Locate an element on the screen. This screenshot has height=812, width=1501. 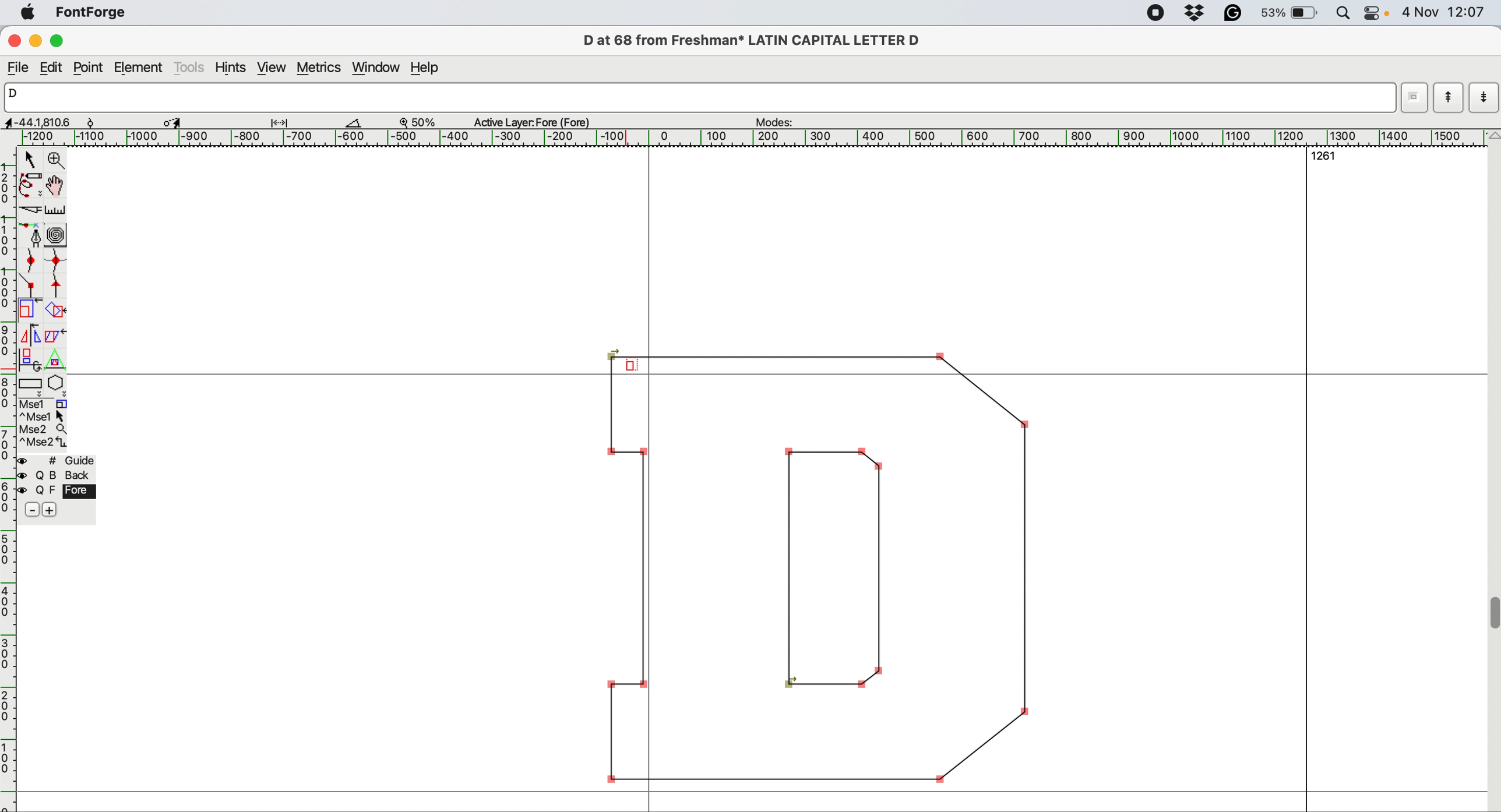
window is located at coordinates (378, 69).